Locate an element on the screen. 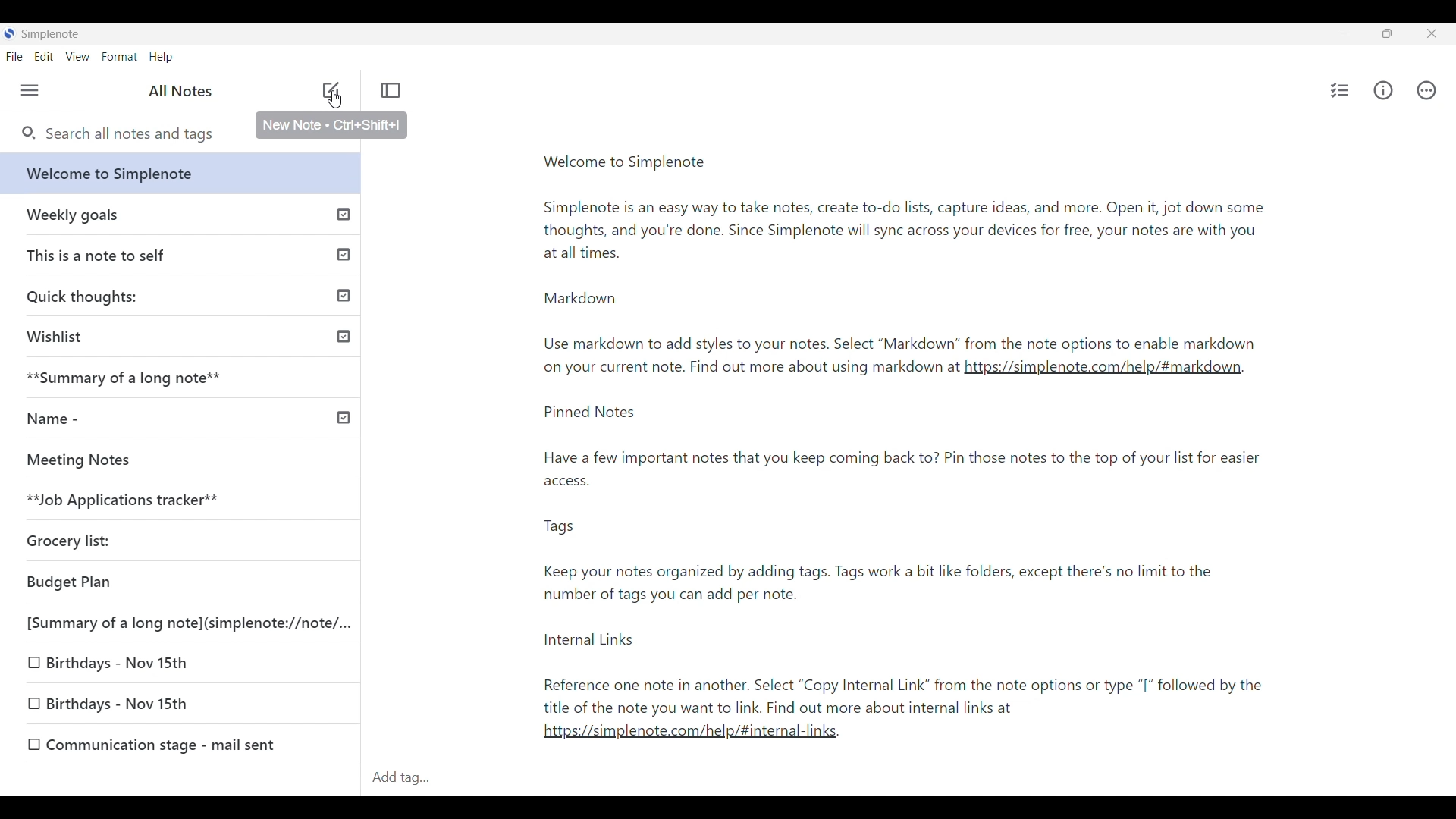 This screenshot has height=819, width=1456. Help menu is located at coordinates (162, 57).